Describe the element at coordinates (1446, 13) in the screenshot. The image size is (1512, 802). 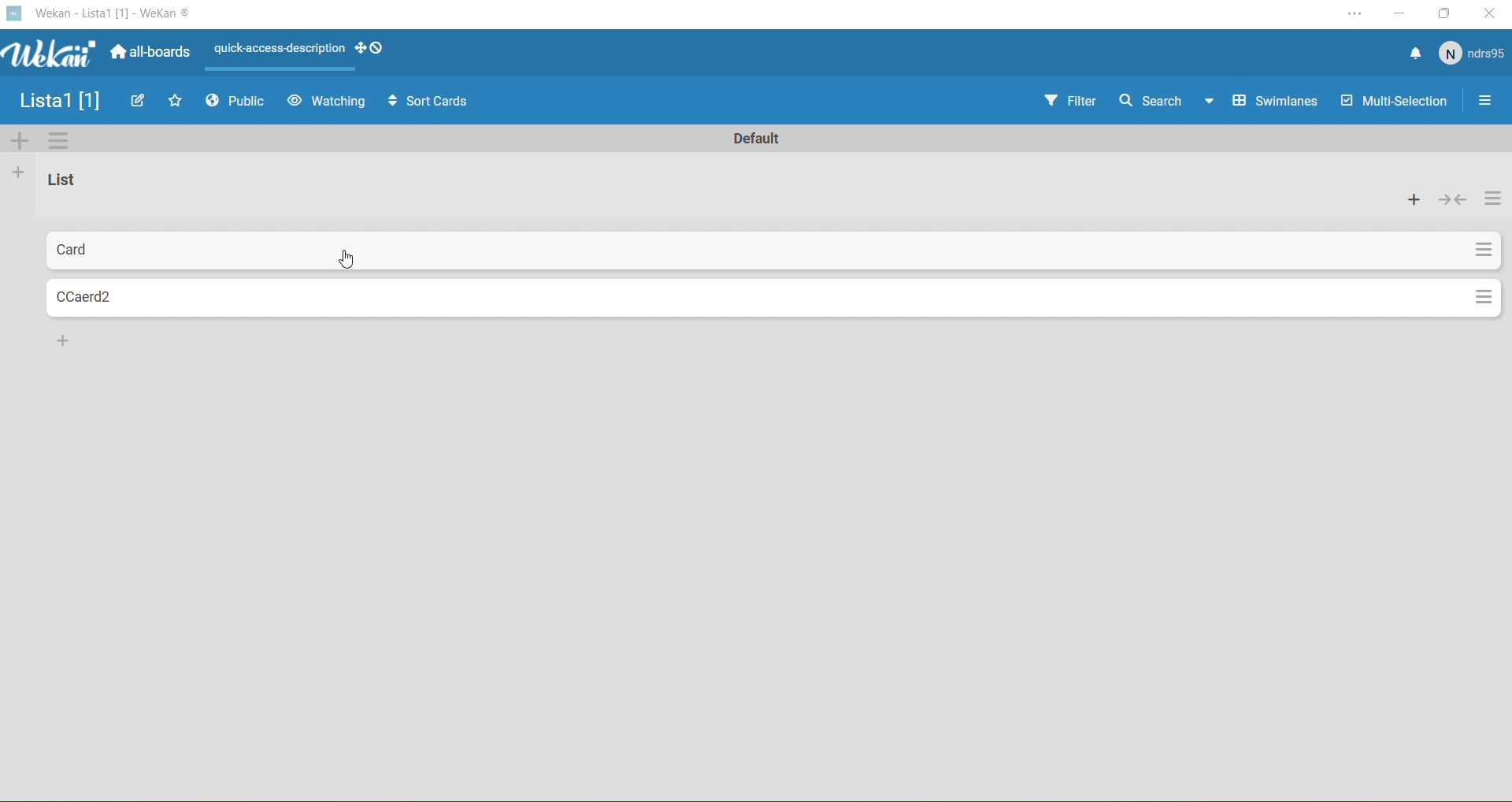
I see `Box` at that location.